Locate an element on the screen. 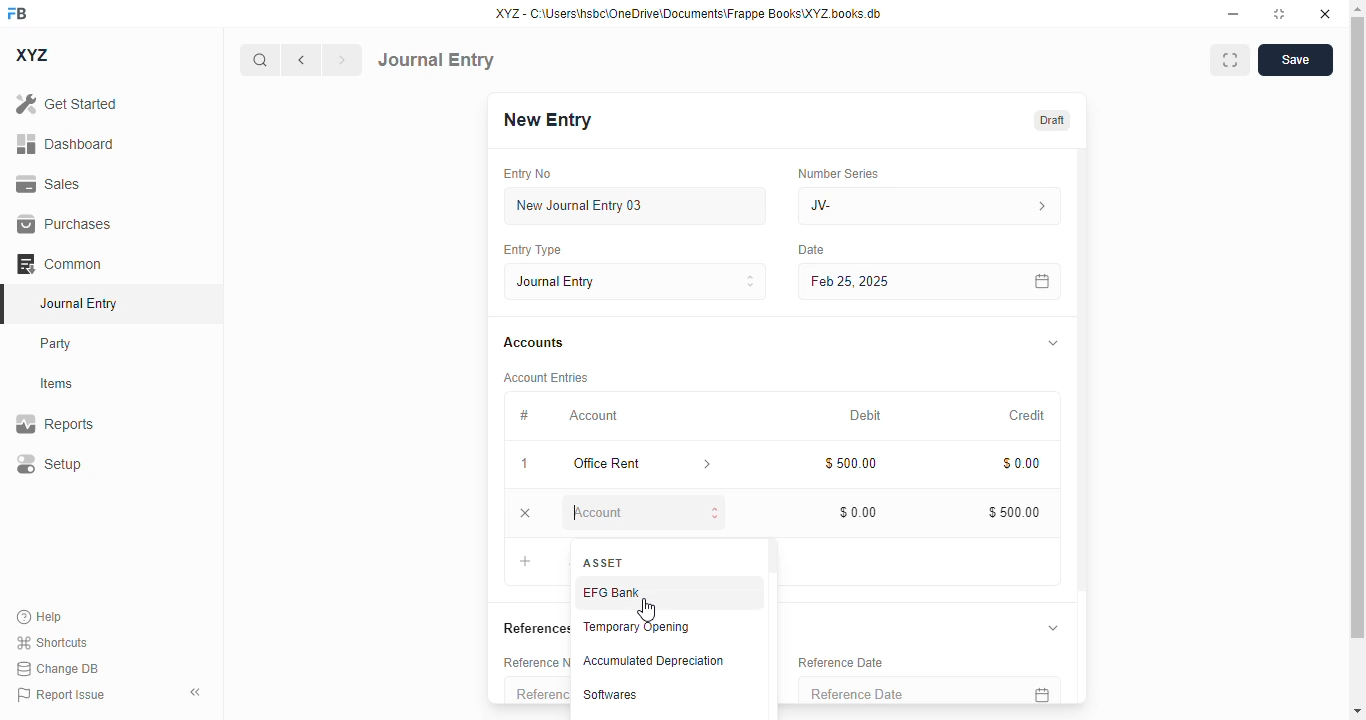  softwares is located at coordinates (612, 695).